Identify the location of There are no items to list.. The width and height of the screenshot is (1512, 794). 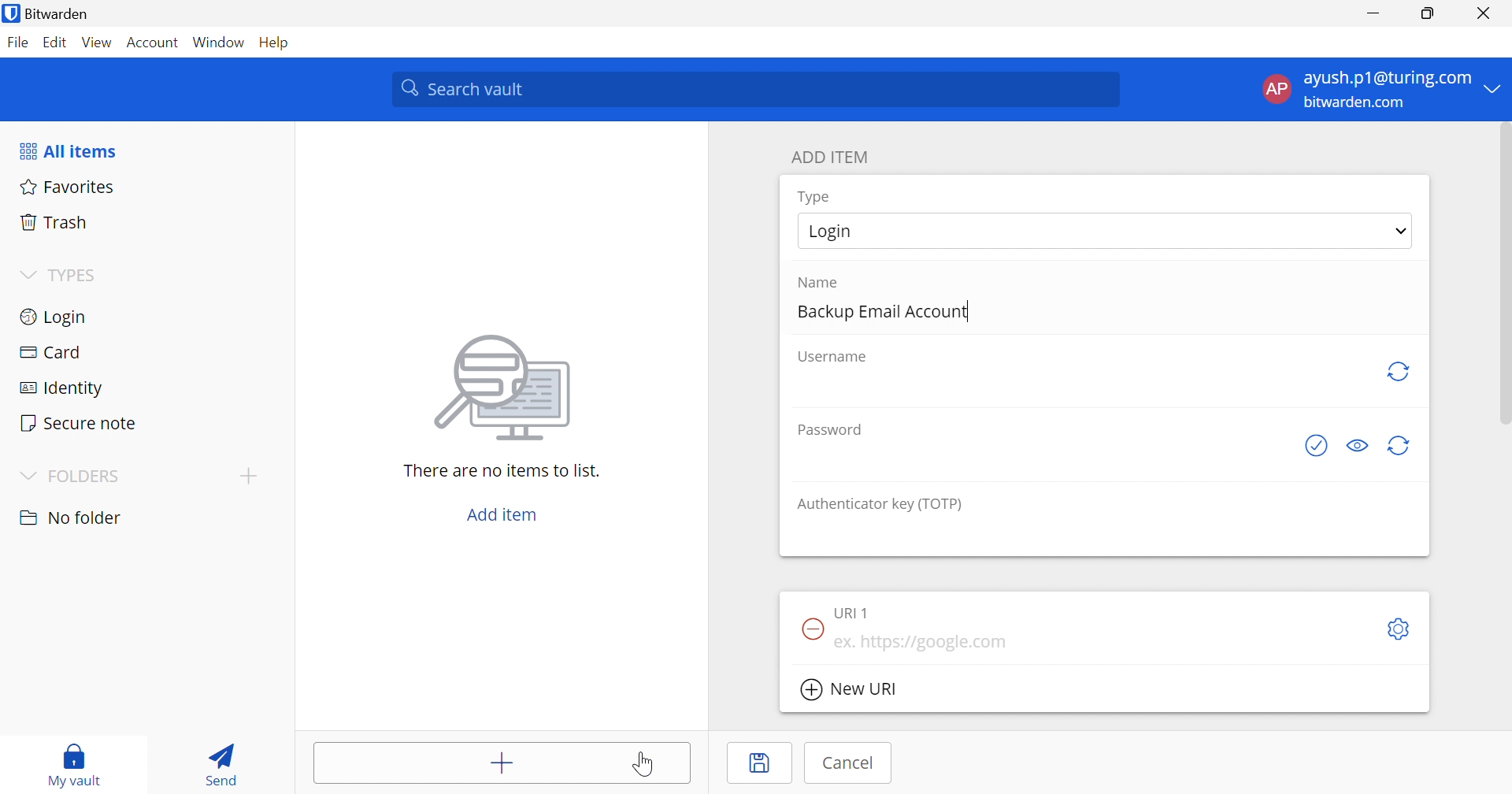
(502, 470).